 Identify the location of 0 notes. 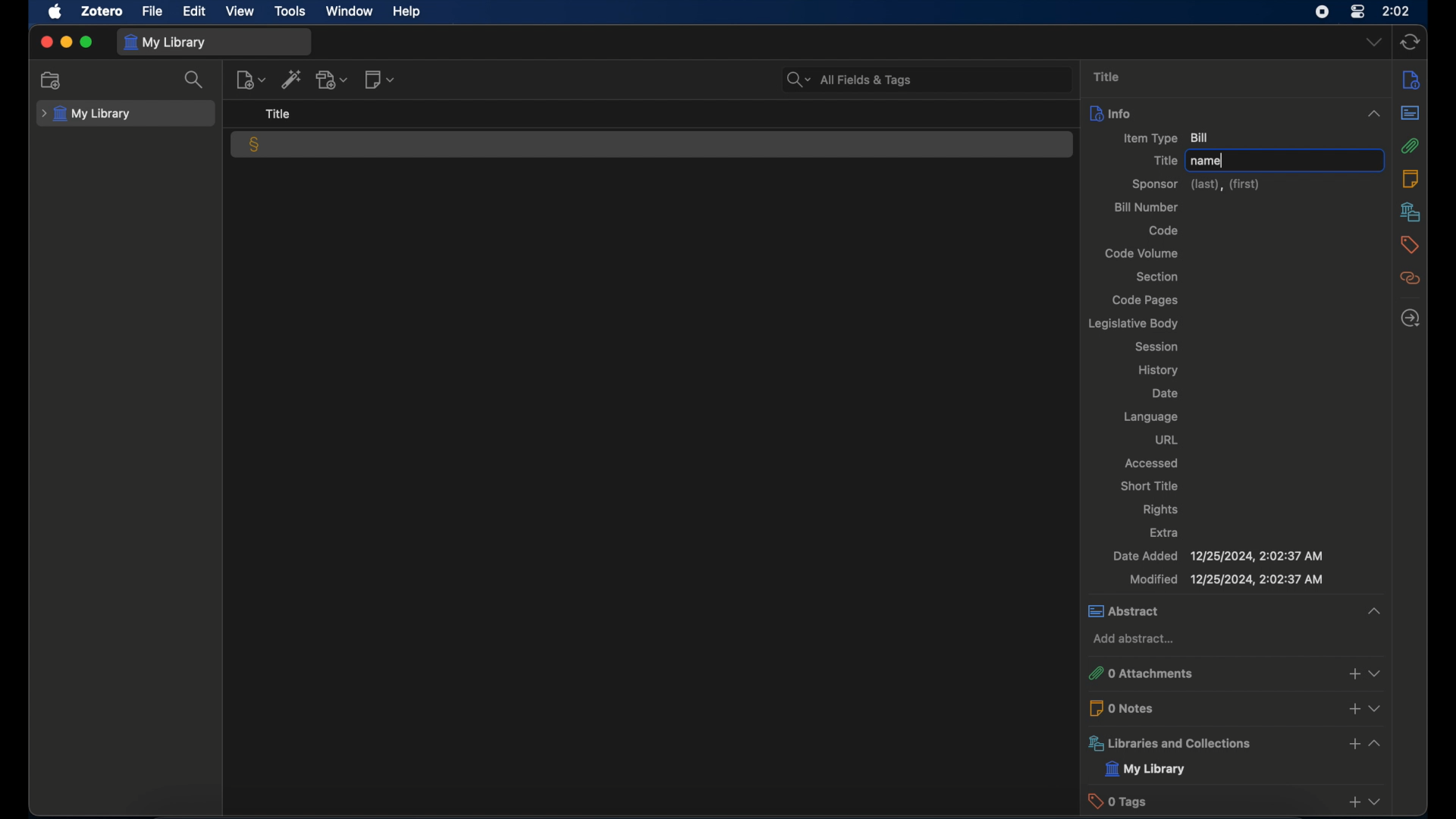
(1236, 708).